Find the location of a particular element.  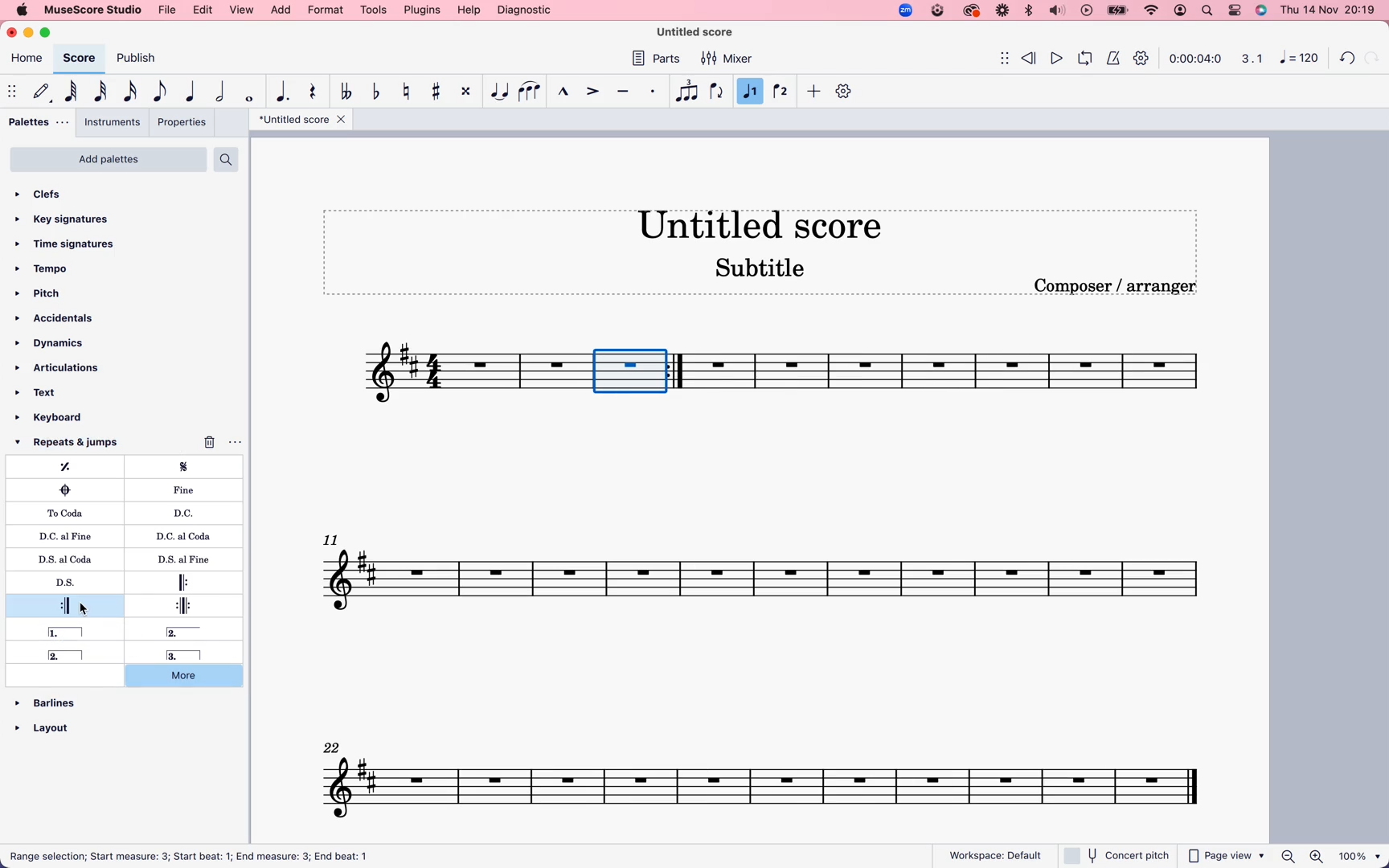

zoom is located at coordinates (1331, 857).